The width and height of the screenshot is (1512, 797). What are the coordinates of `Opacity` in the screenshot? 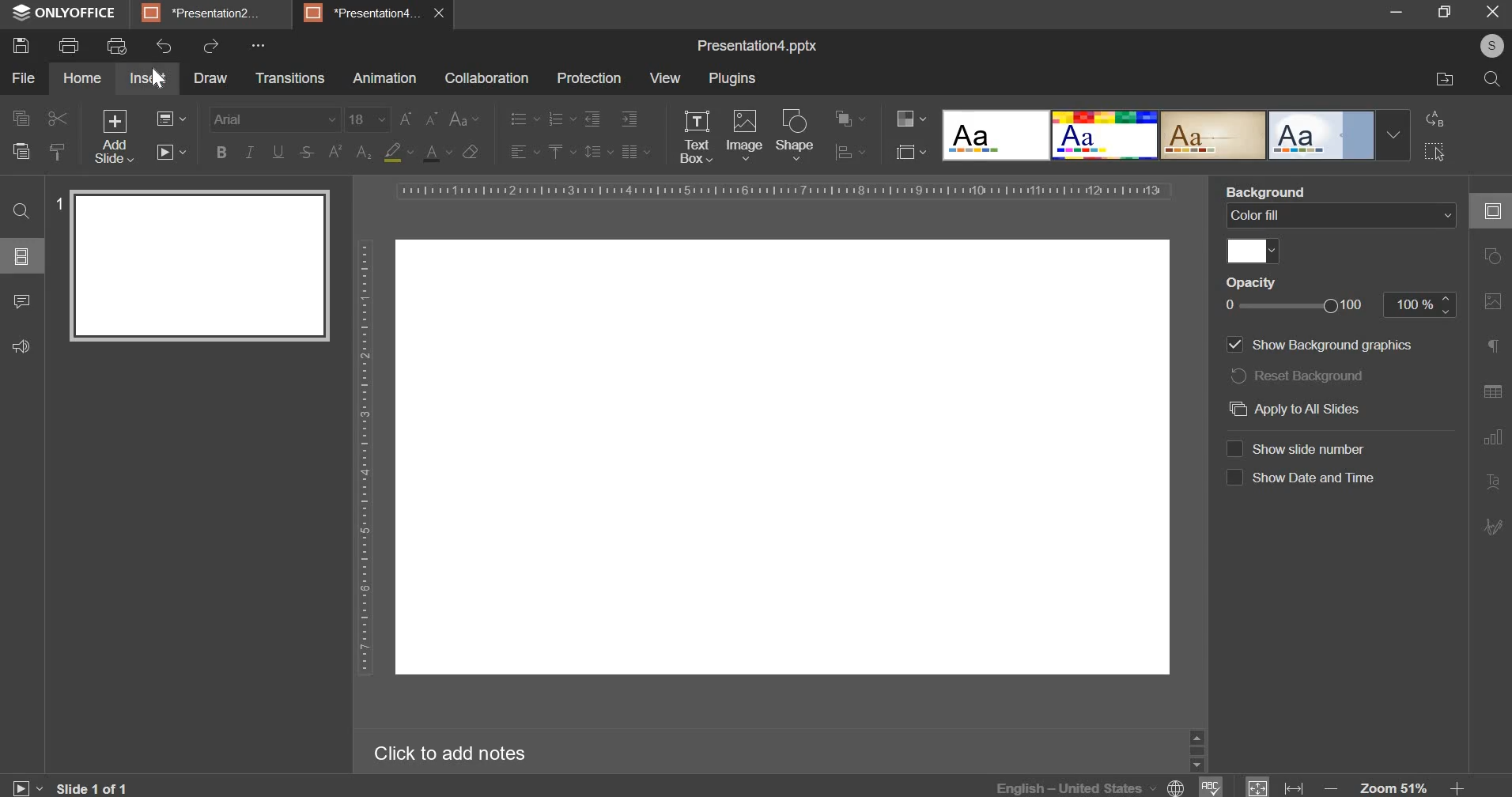 It's located at (1249, 282).